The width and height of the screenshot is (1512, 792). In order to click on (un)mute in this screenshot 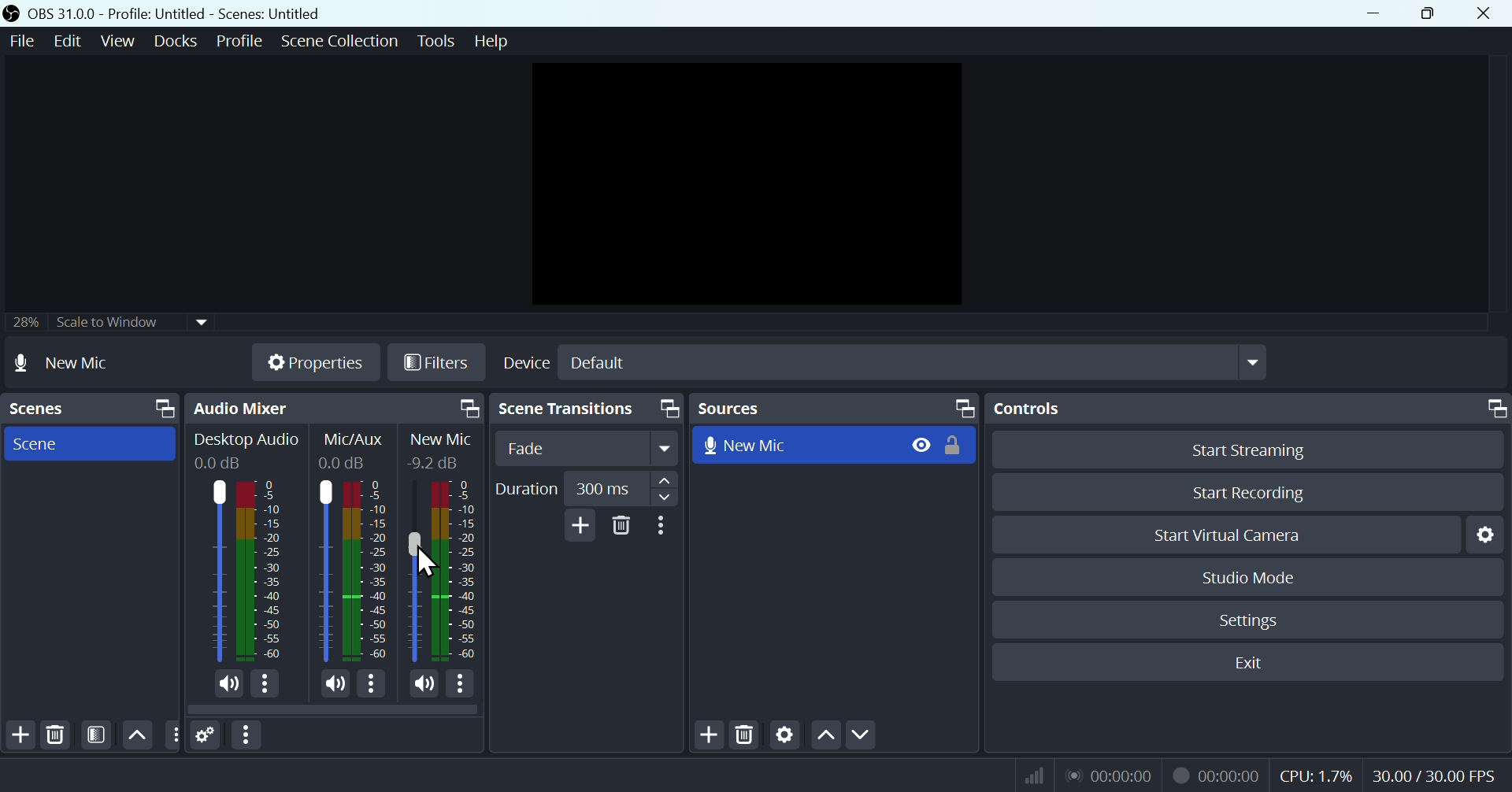, I will do `click(331, 686)`.